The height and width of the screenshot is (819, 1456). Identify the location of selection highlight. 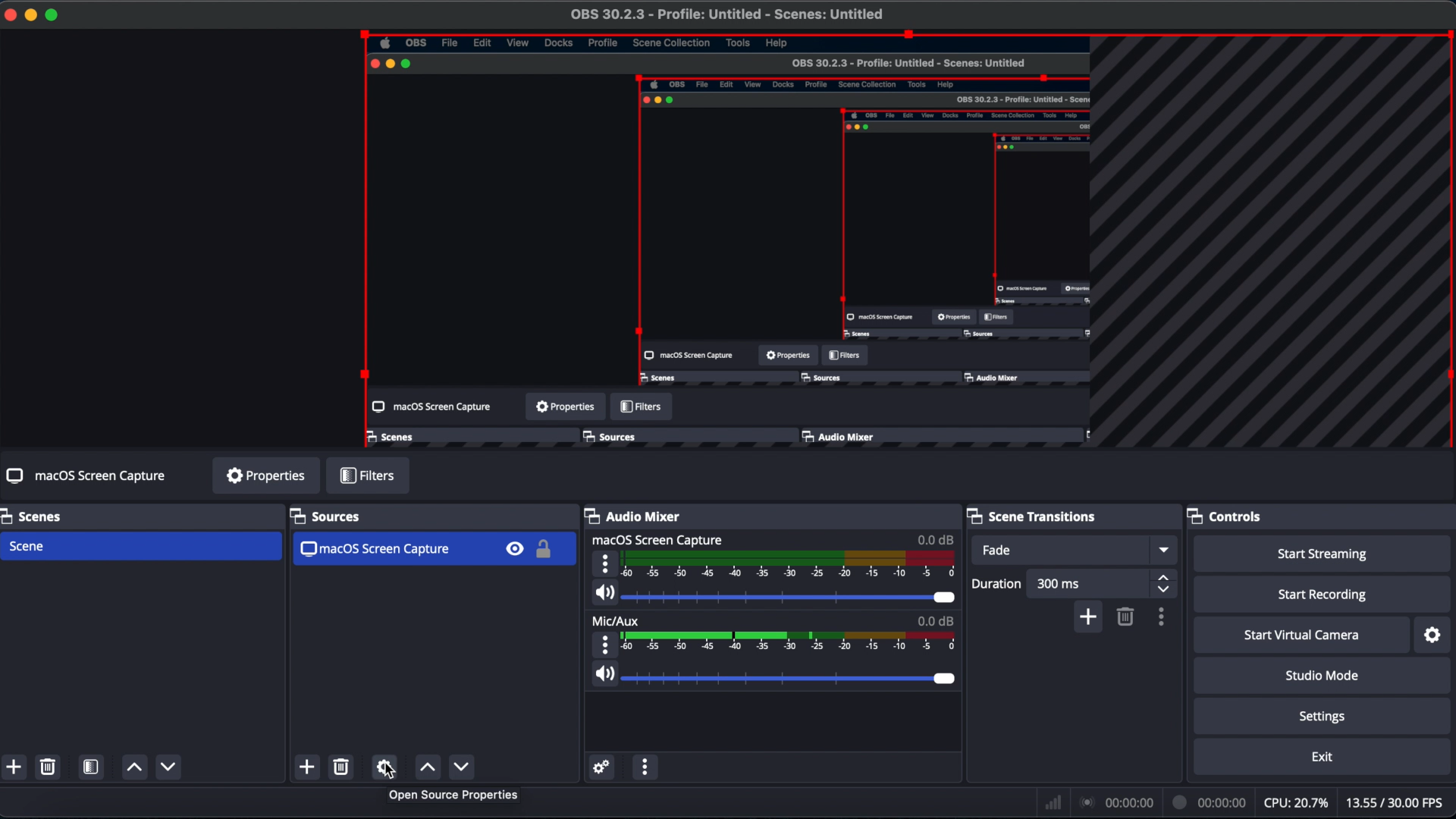
(890, 34).